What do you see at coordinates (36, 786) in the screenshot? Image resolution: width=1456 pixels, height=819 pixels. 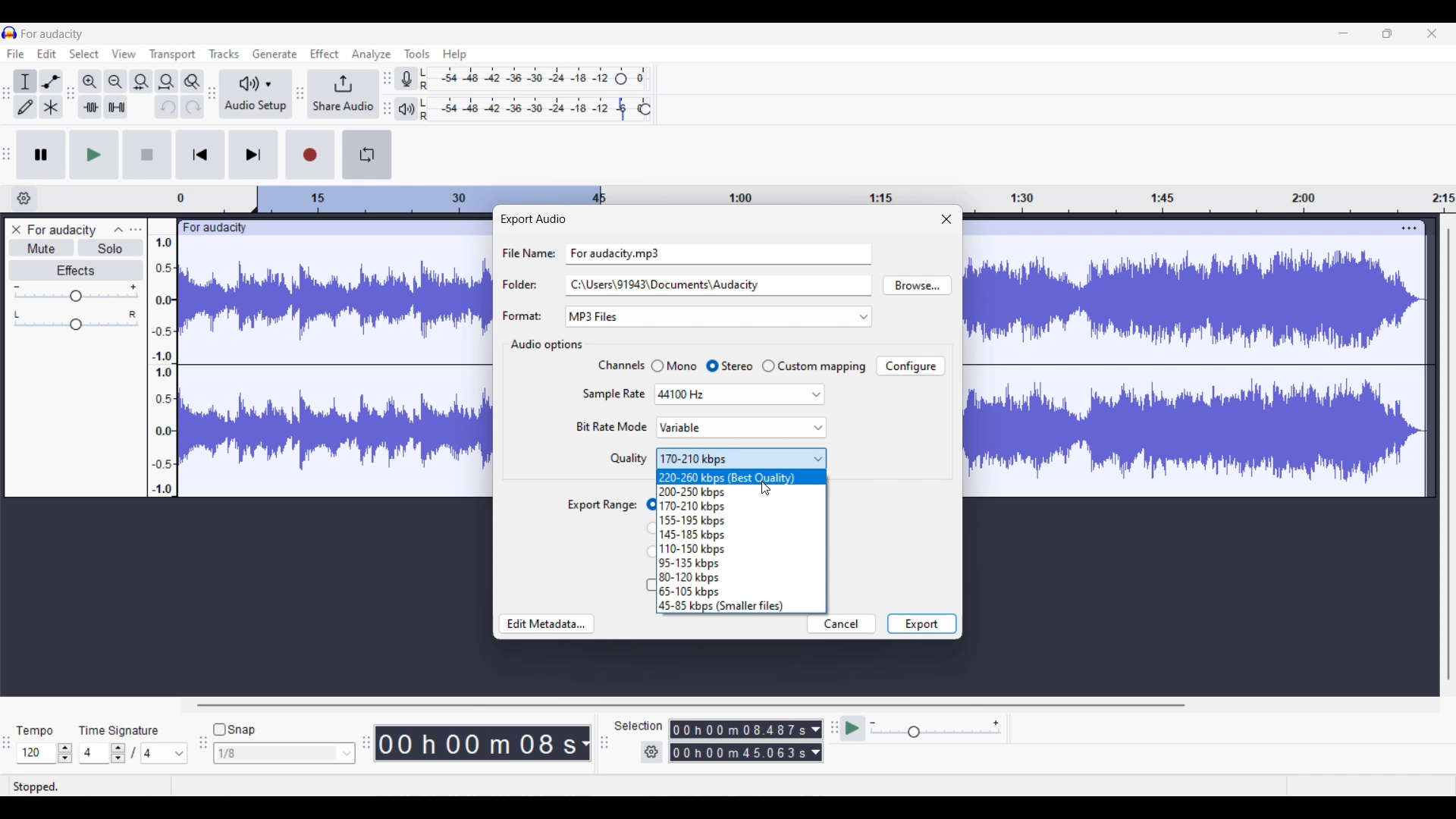 I see `Current status of track` at bounding box center [36, 786].